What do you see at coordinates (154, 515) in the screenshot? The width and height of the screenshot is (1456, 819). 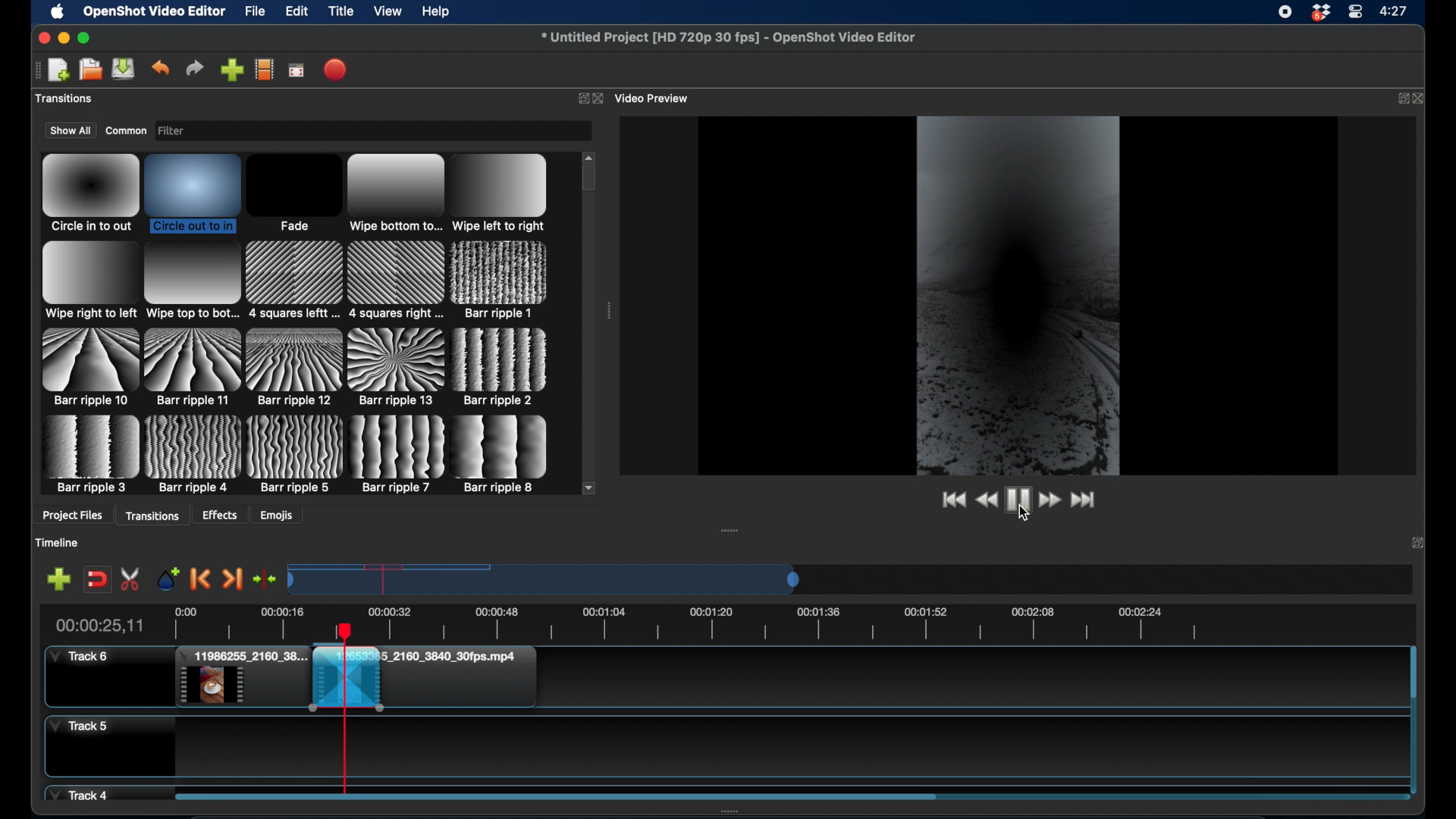 I see `transitions` at bounding box center [154, 515].